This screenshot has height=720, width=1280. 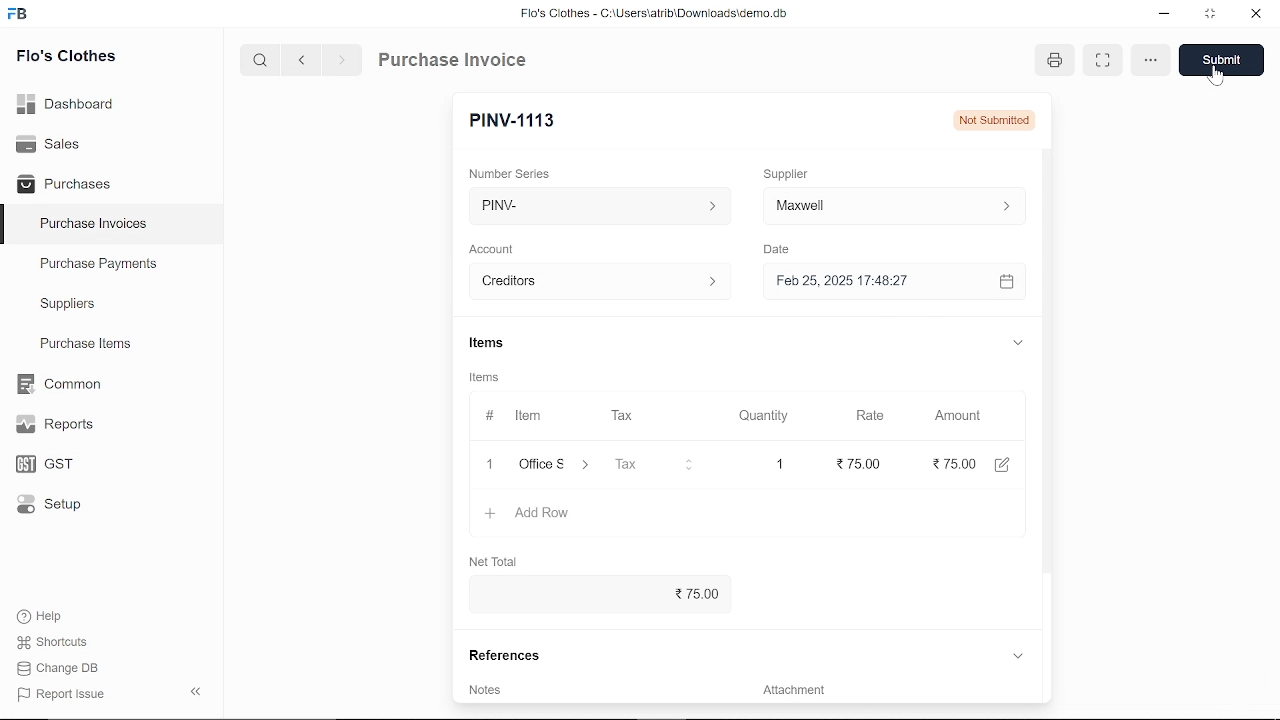 What do you see at coordinates (22, 15) in the screenshot?
I see `frappe books logo` at bounding box center [22, 15].